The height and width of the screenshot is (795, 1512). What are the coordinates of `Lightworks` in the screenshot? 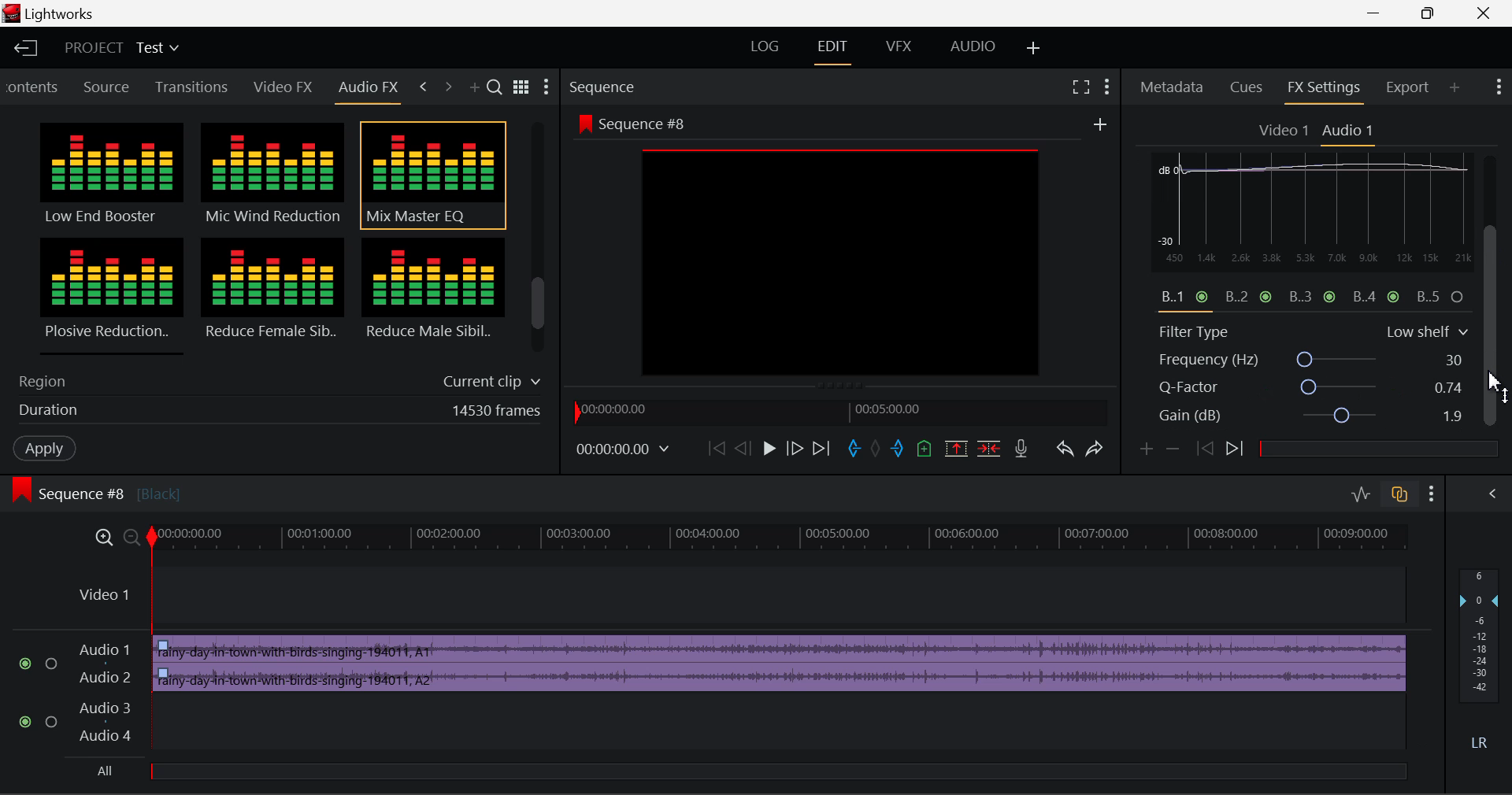 It's located at (71, 14).